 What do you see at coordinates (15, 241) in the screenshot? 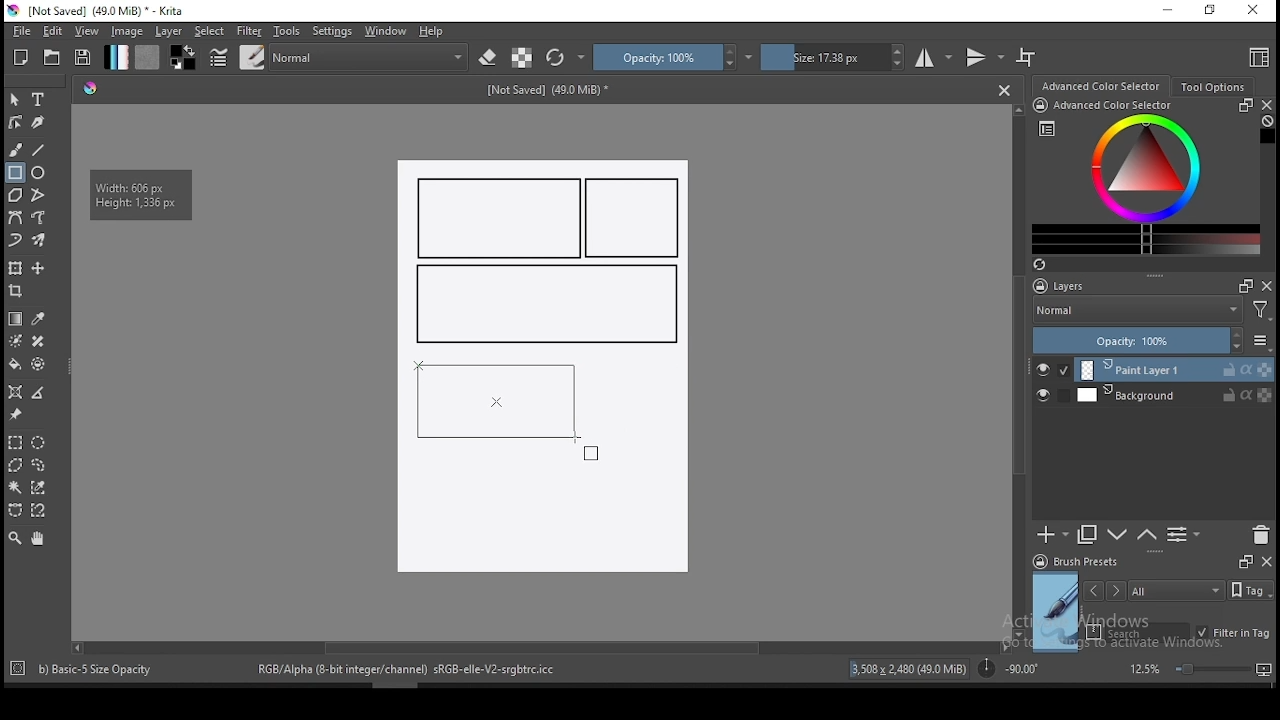
I see `dynamic brush tool` at bounding box center [15, 241].